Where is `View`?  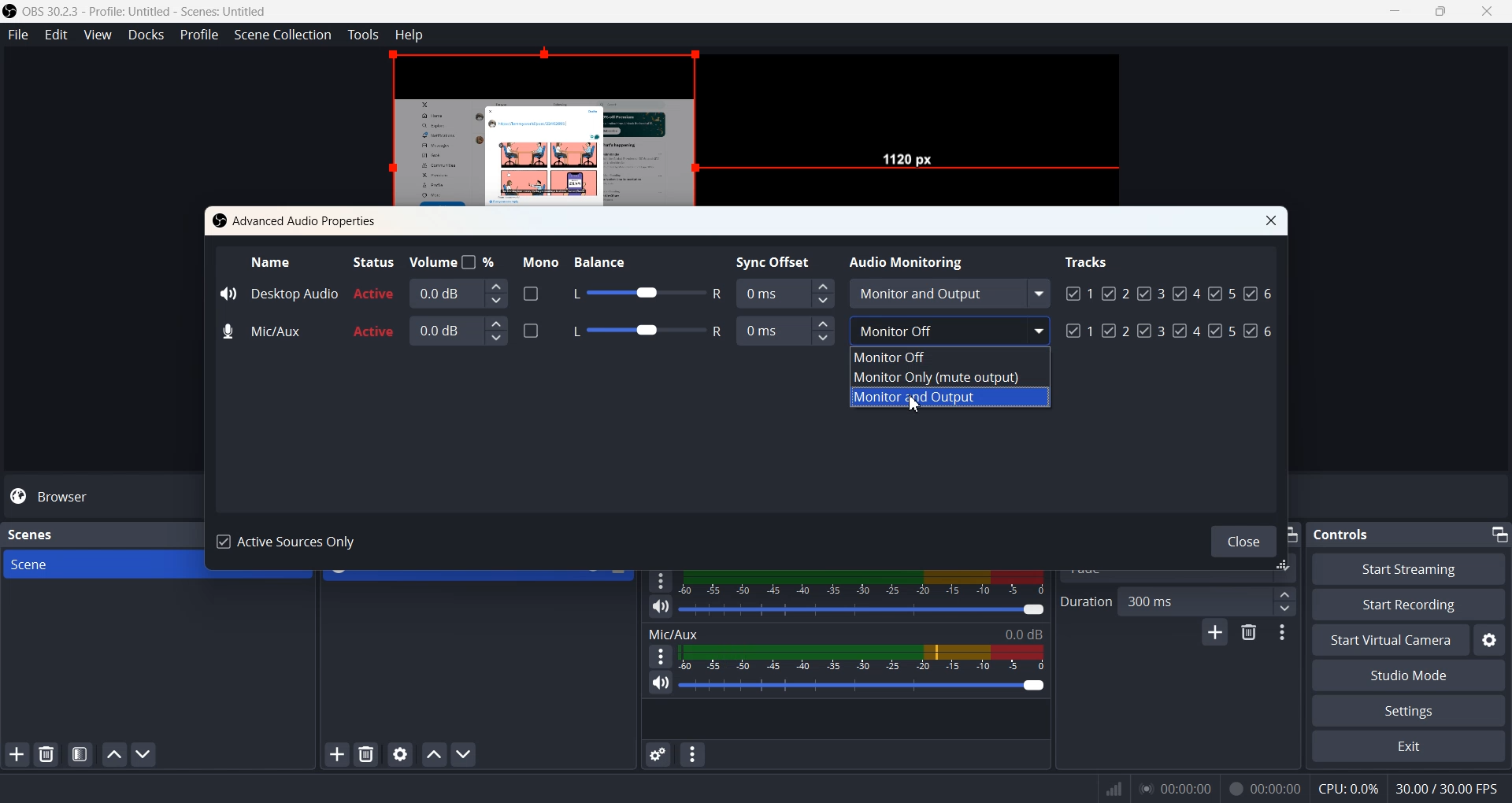 View is located at coordinates (98, 35).